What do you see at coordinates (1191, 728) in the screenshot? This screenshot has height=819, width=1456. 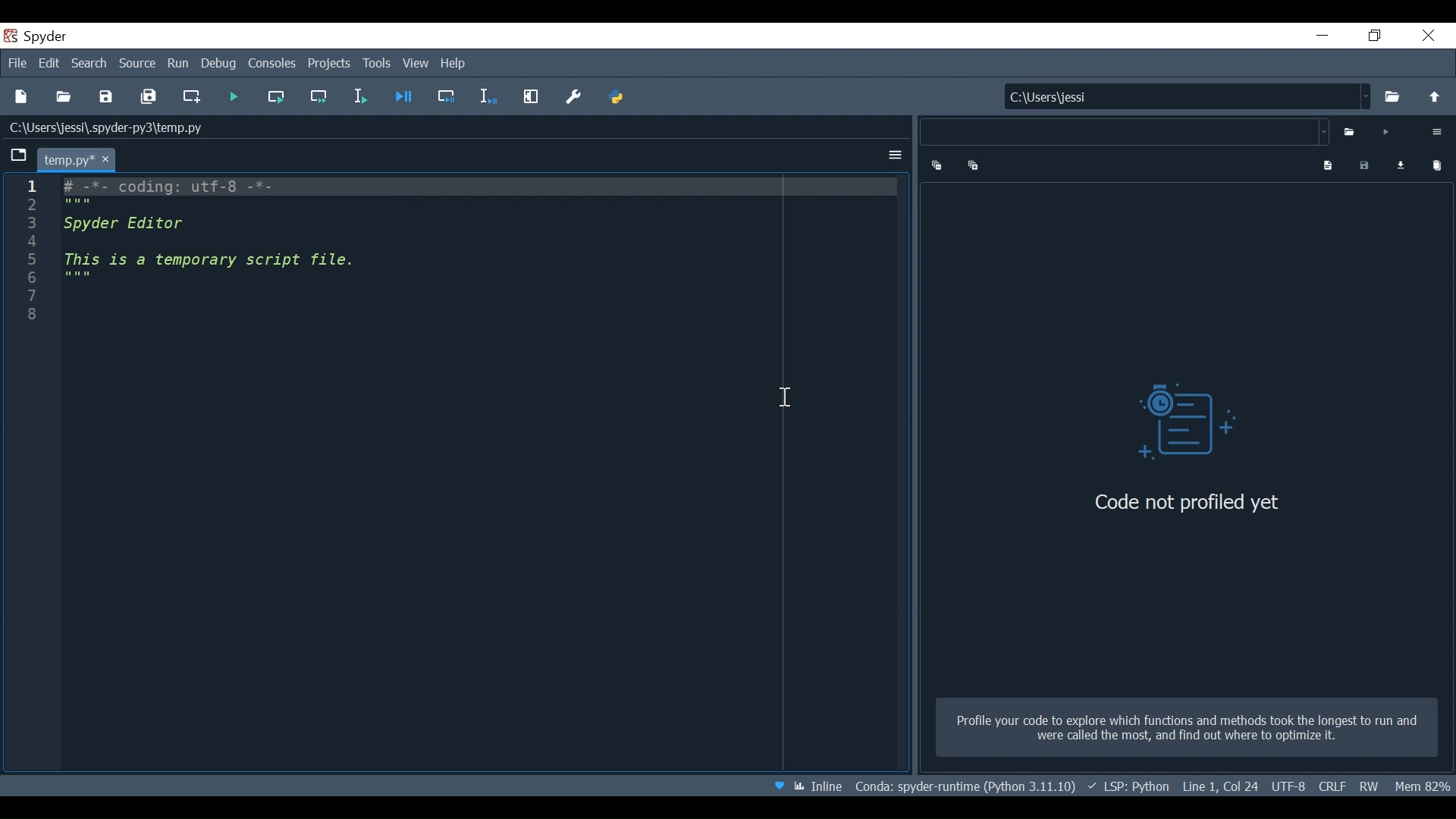 I see `Profile your code which functions and methods took te longest to run and were called te most, and find wat to optimize it` at bounding box center [1191, 728].